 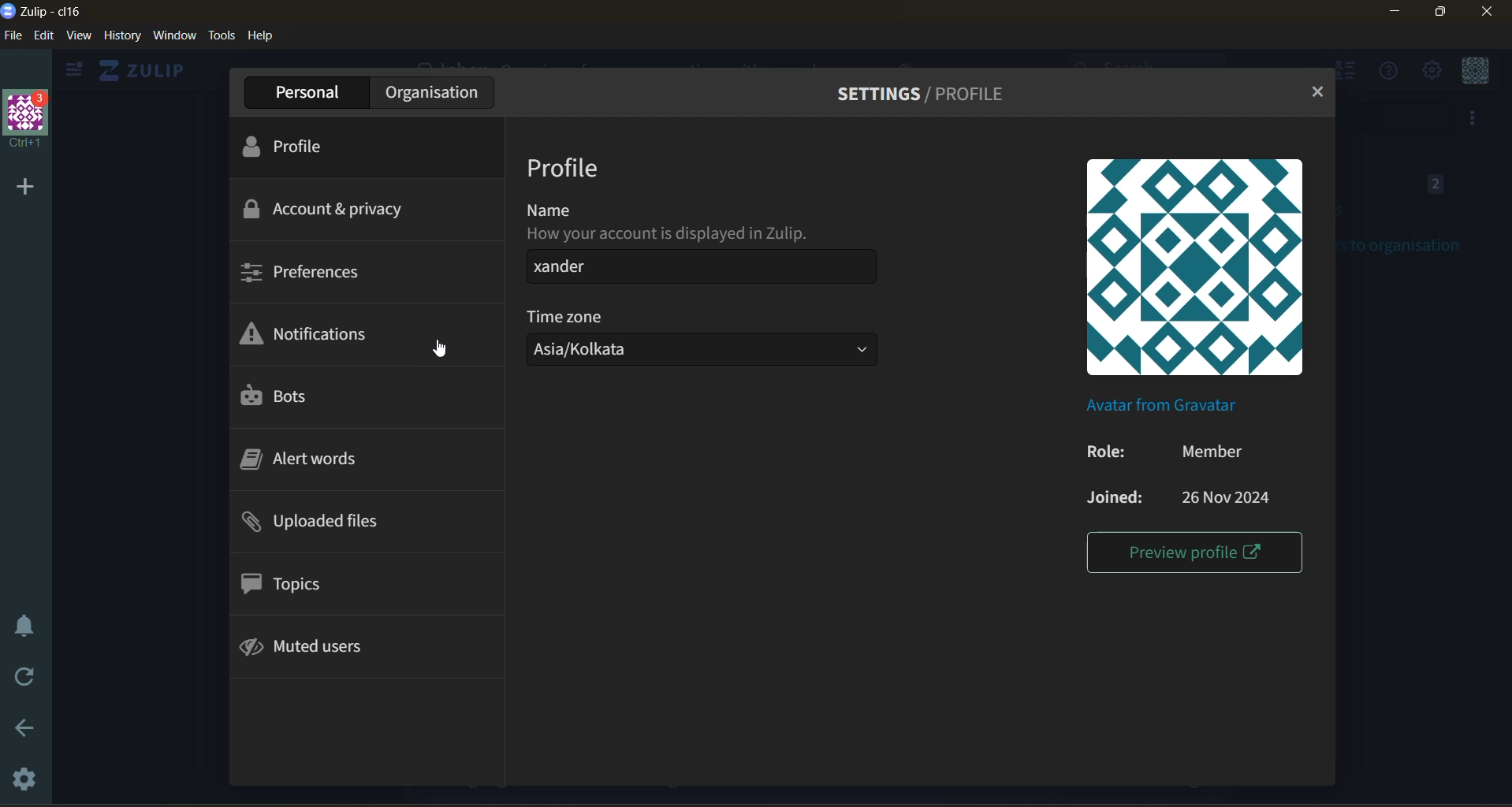 I want to click on home view, so click(x=139, y=70).